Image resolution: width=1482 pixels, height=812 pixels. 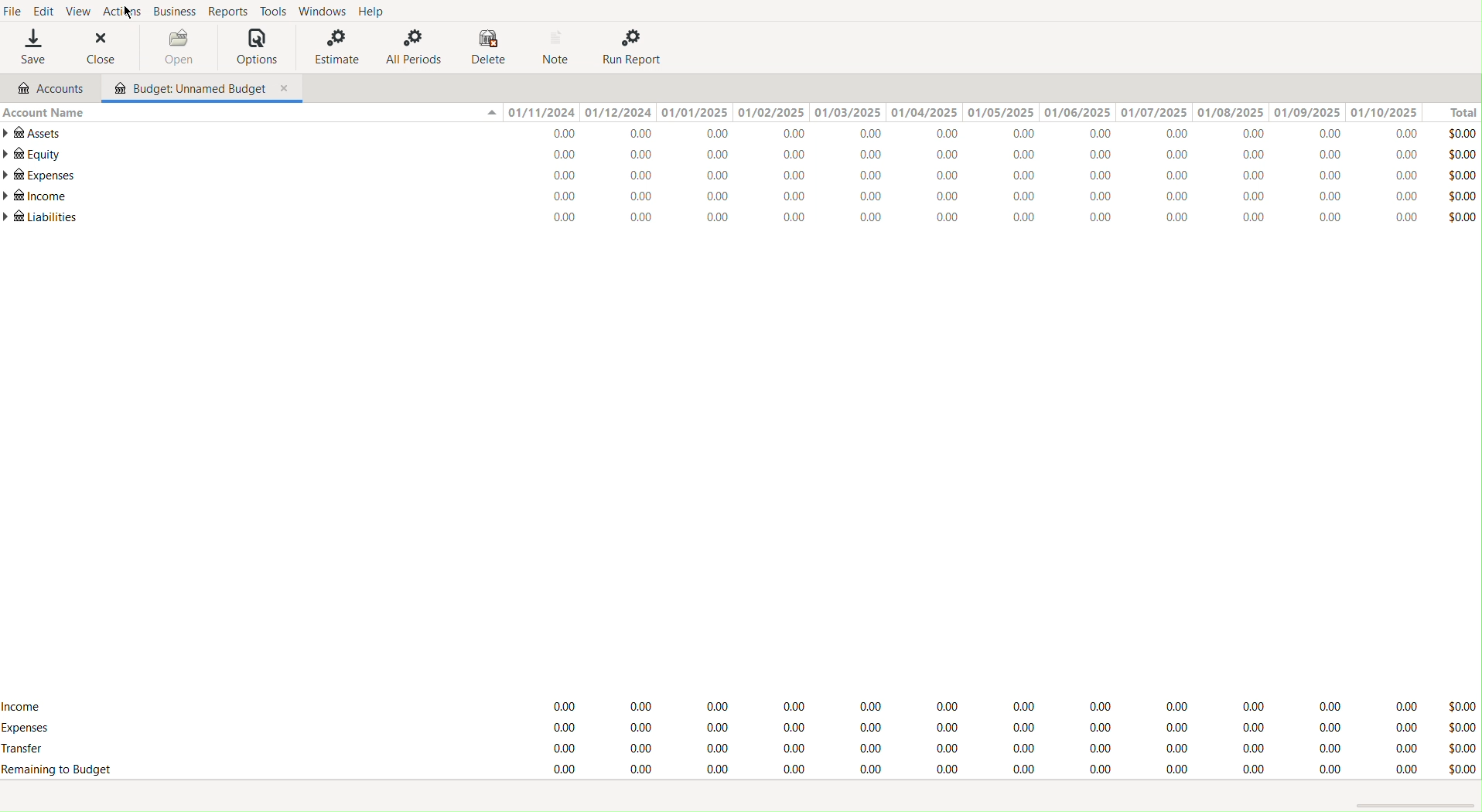 I want to click on Equity, so click(x=32, y=154).